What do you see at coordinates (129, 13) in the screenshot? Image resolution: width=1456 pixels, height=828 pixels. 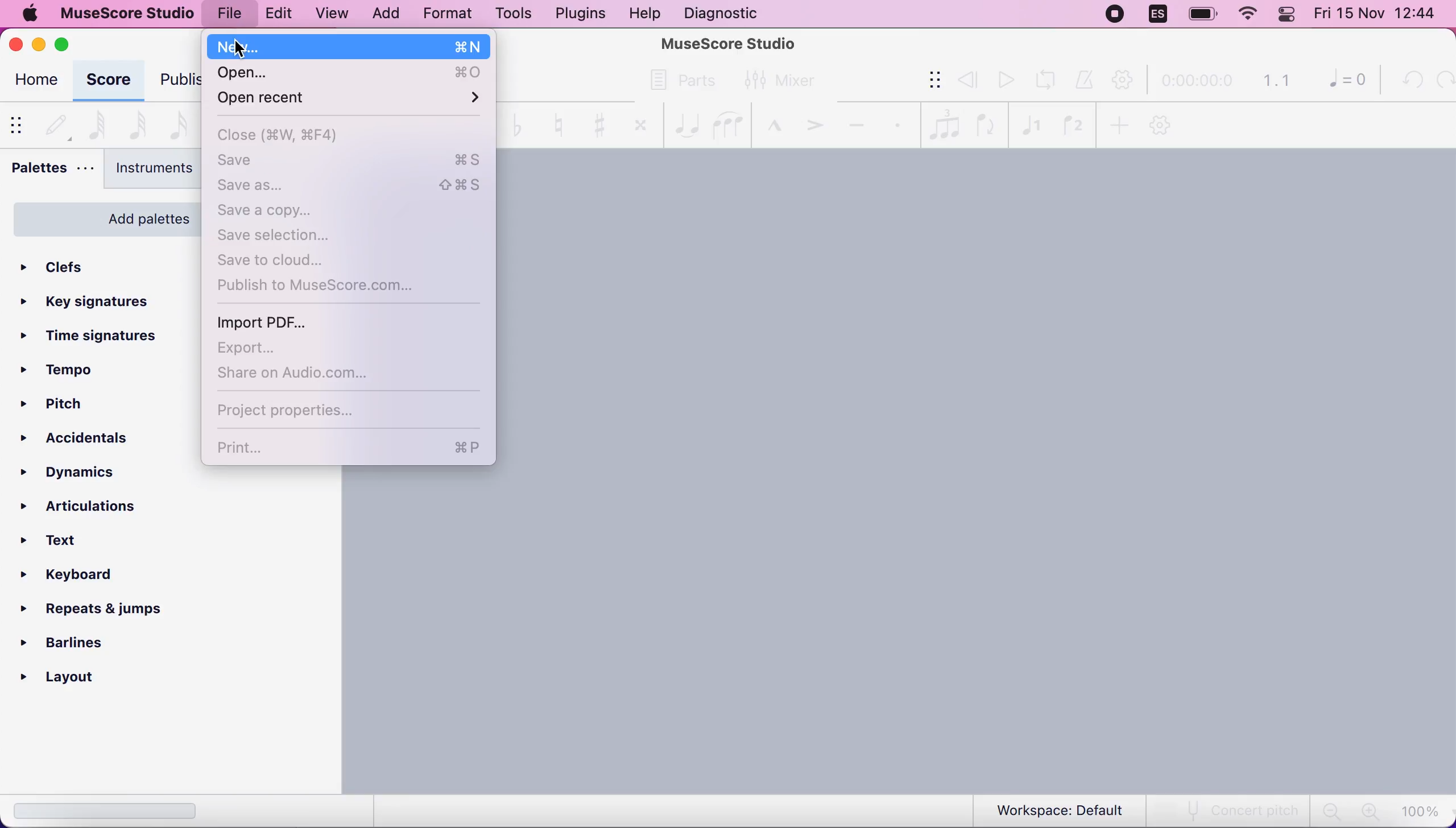 I see `musescore studio` at bounding box center [129, 13].